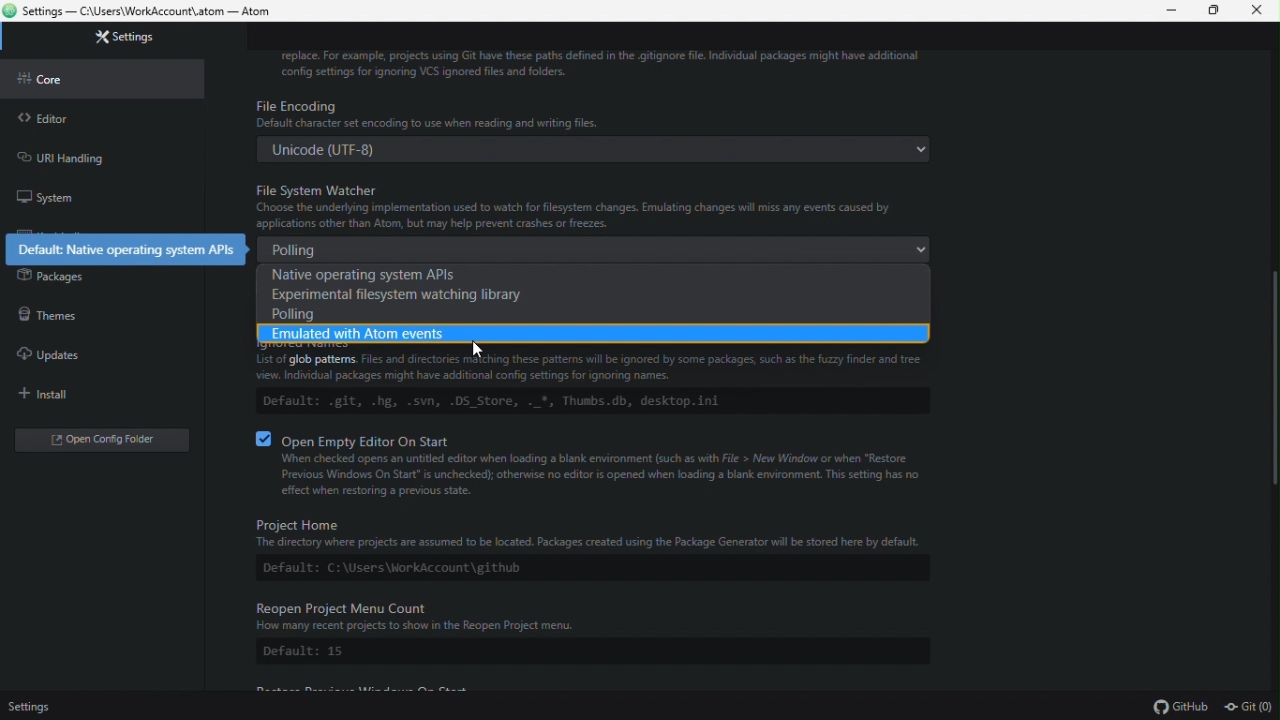 This screenshot has height=720, width=1280. Describe the element at coordinates (476, 348) in the screenshot. I see `cursor` at that location.